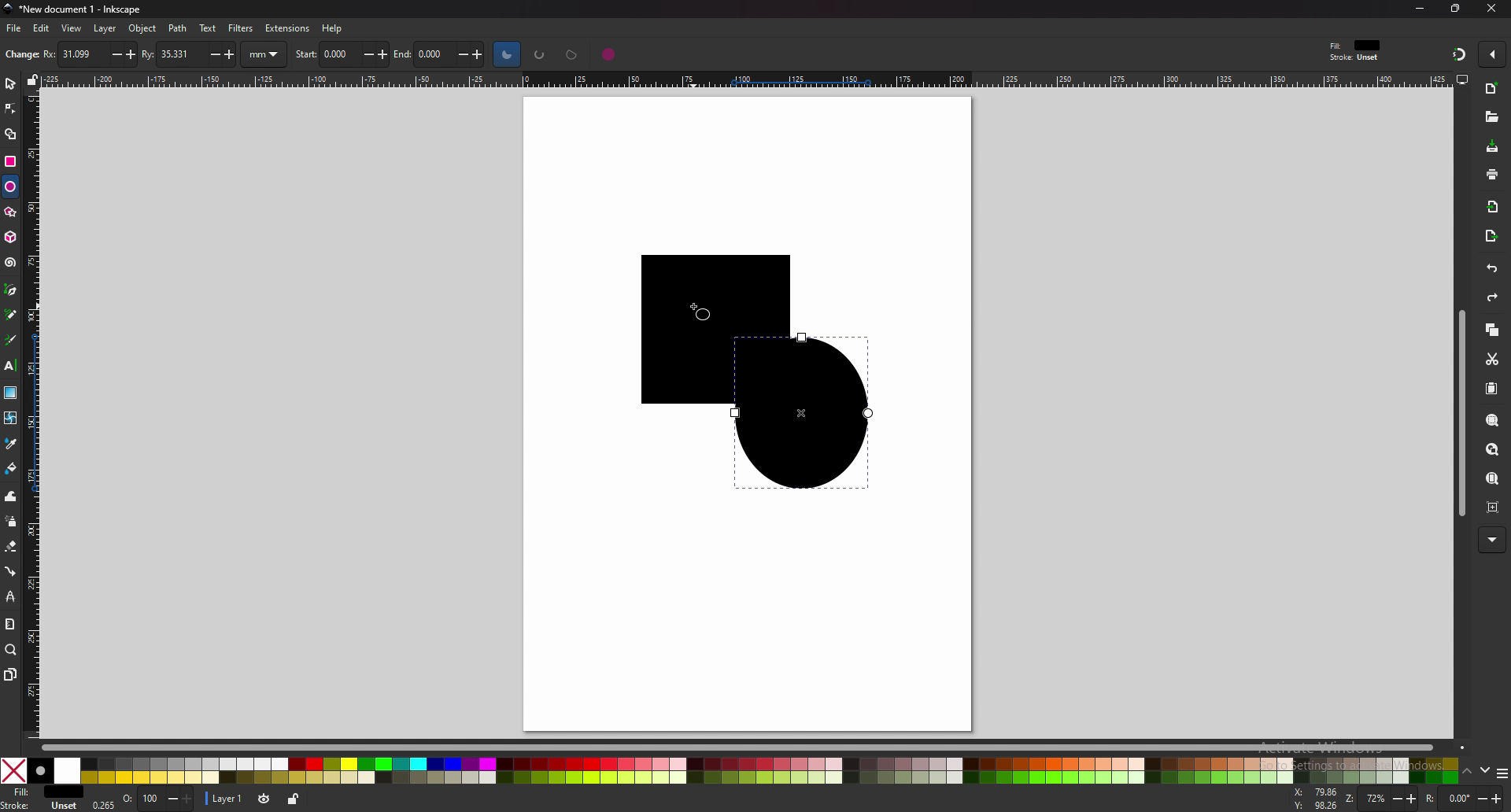 The height and width of the screenshot is (812, 1511). Describe the element at coordinates (208, 28) in the screenshot. I see `text` at that location.